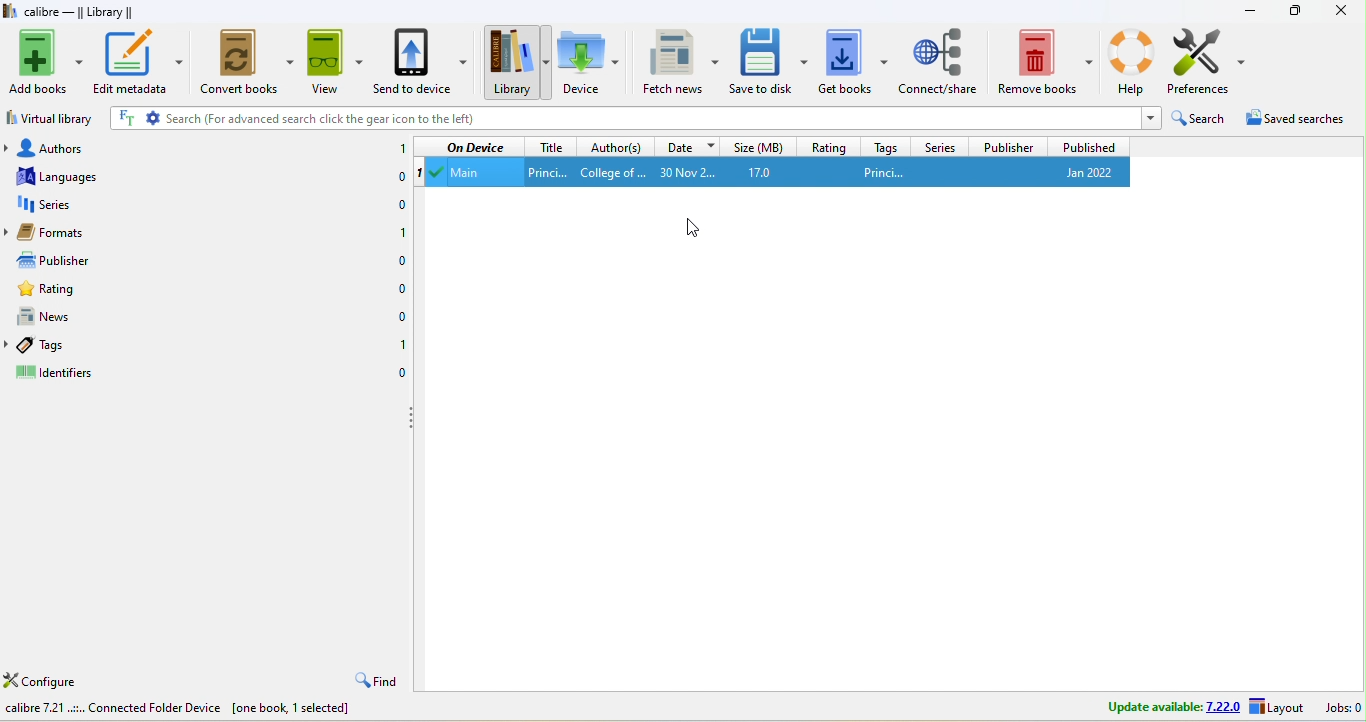 The height and width of the screenshot is (722, 1366). I want to click on fetch news, so click(682, 60).